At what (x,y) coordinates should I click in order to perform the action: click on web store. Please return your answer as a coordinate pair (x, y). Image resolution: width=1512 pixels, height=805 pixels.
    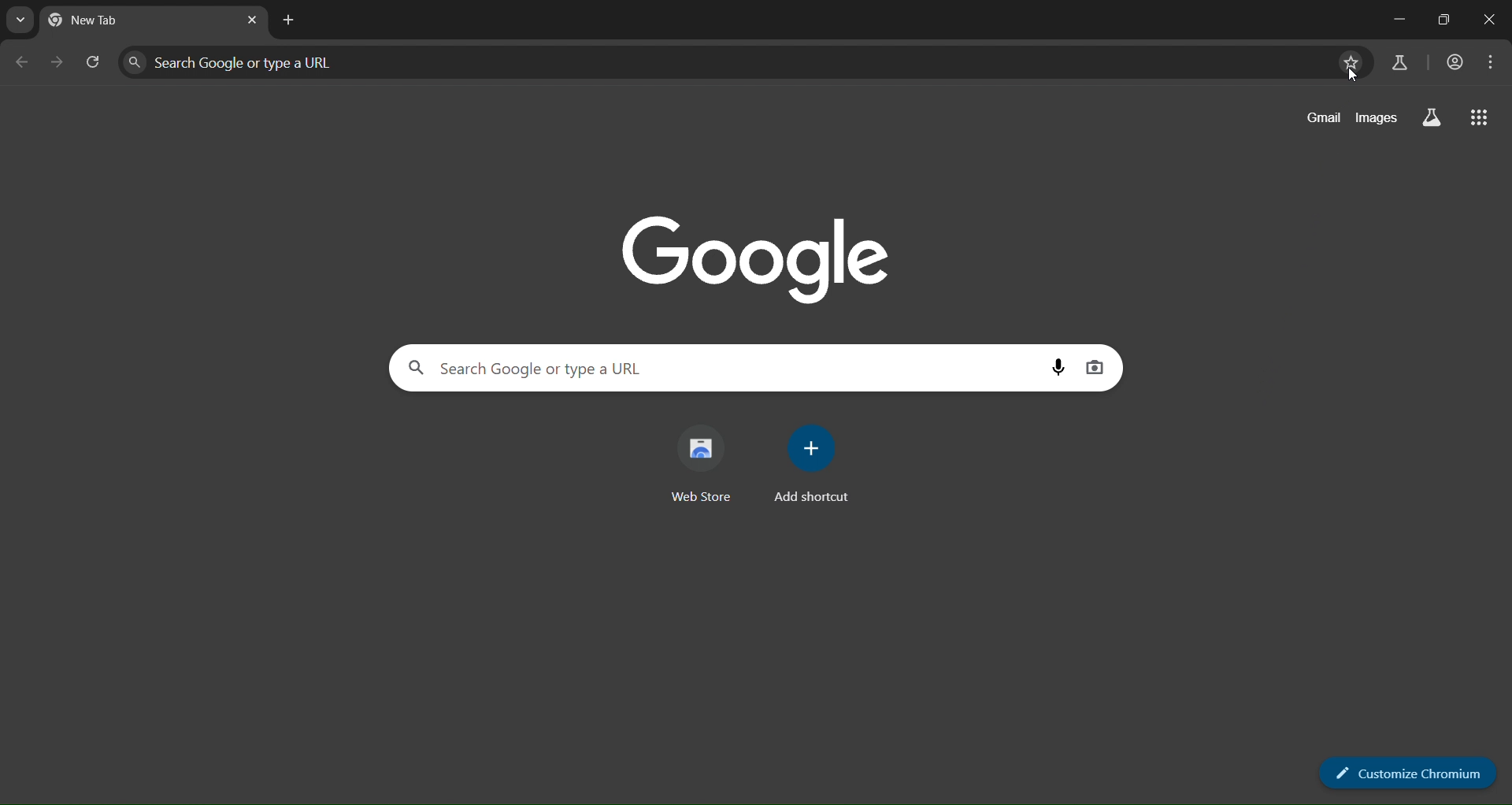
    Looking at the image, I should click on (703, 462).